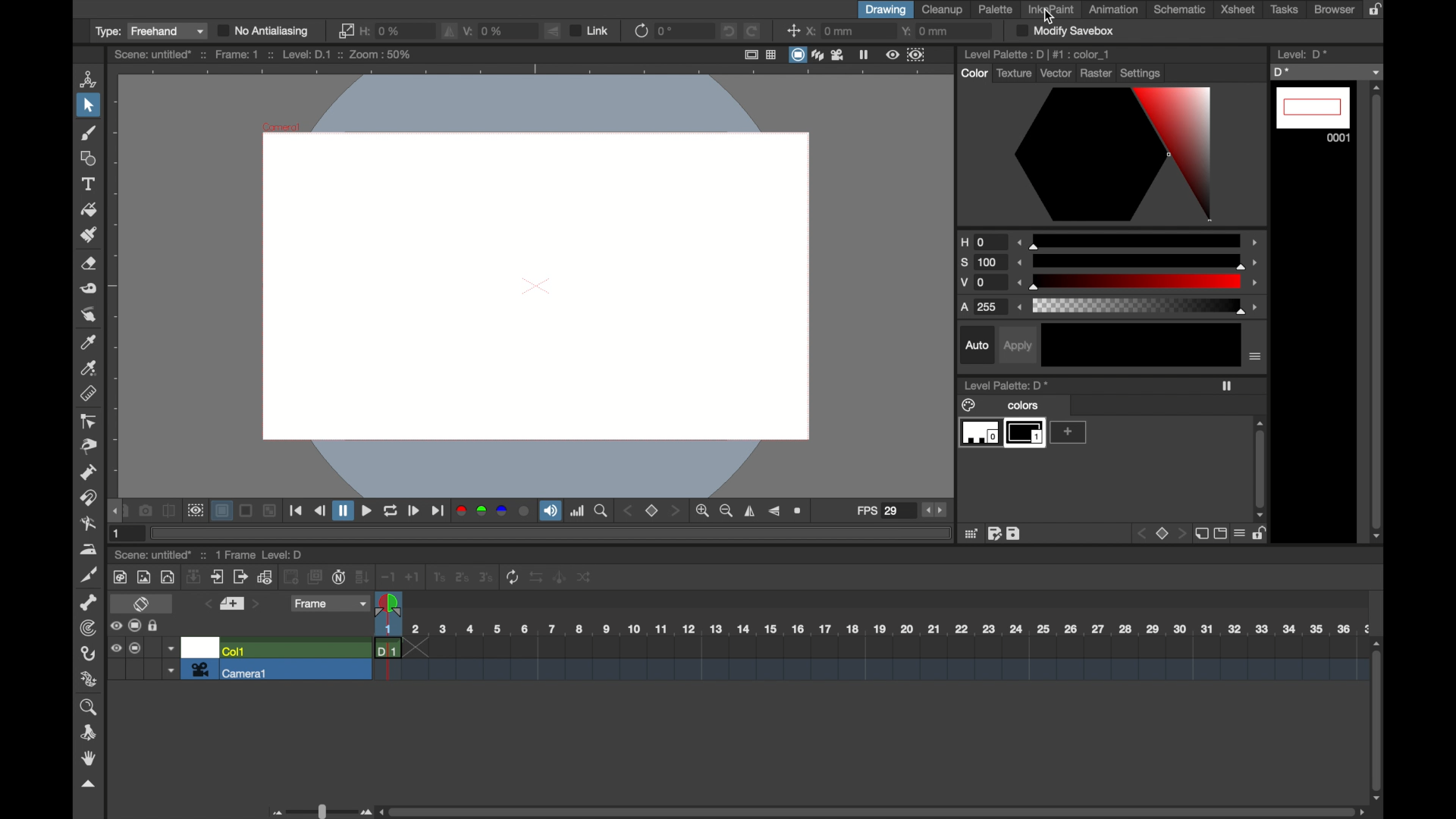 This screenshot has height=819, width=1456. I want to click on back, so click(290, 577).